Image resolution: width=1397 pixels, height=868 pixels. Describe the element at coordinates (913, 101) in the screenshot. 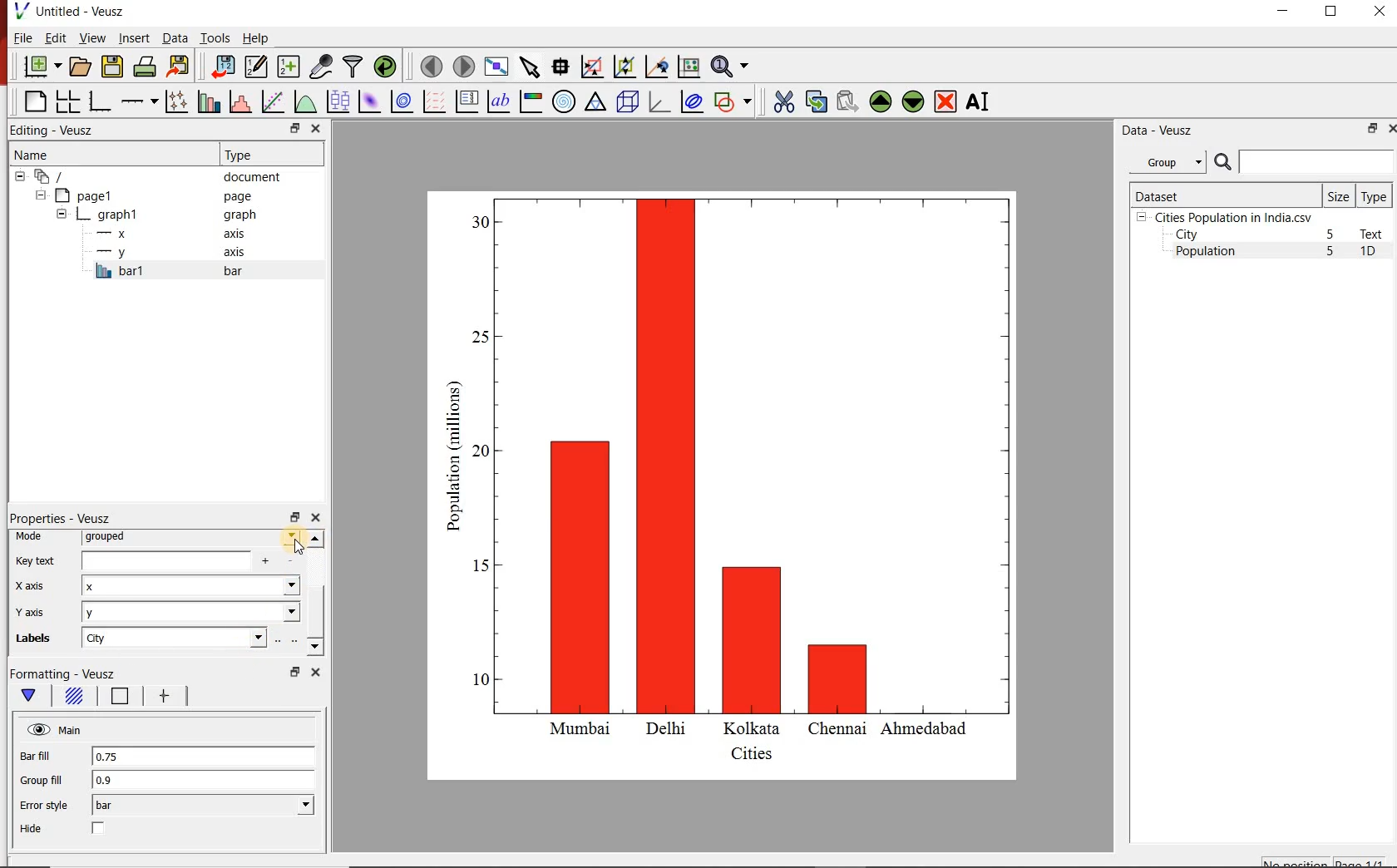

I see `move the selected widget down` at that location.